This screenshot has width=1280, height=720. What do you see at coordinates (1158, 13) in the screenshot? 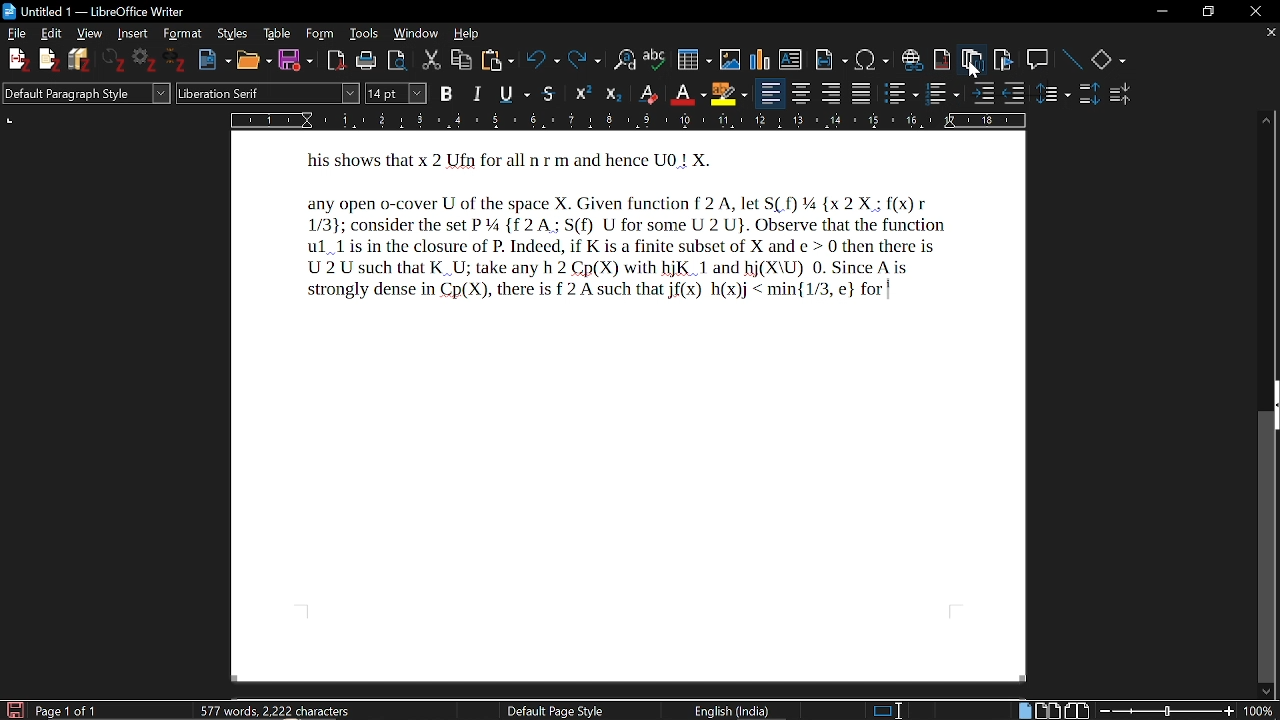
I see `Minimize` at bounding box center [1158, 13].